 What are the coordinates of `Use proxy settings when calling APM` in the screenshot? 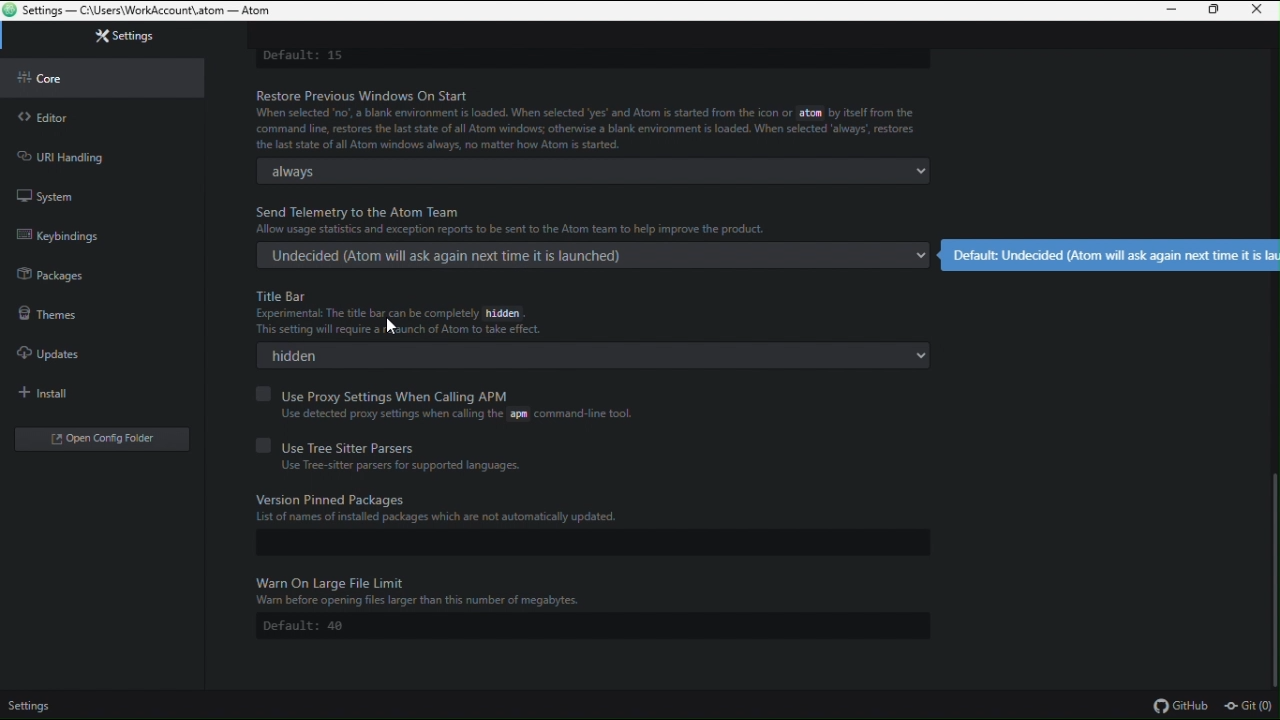 It's located at (494, 393).